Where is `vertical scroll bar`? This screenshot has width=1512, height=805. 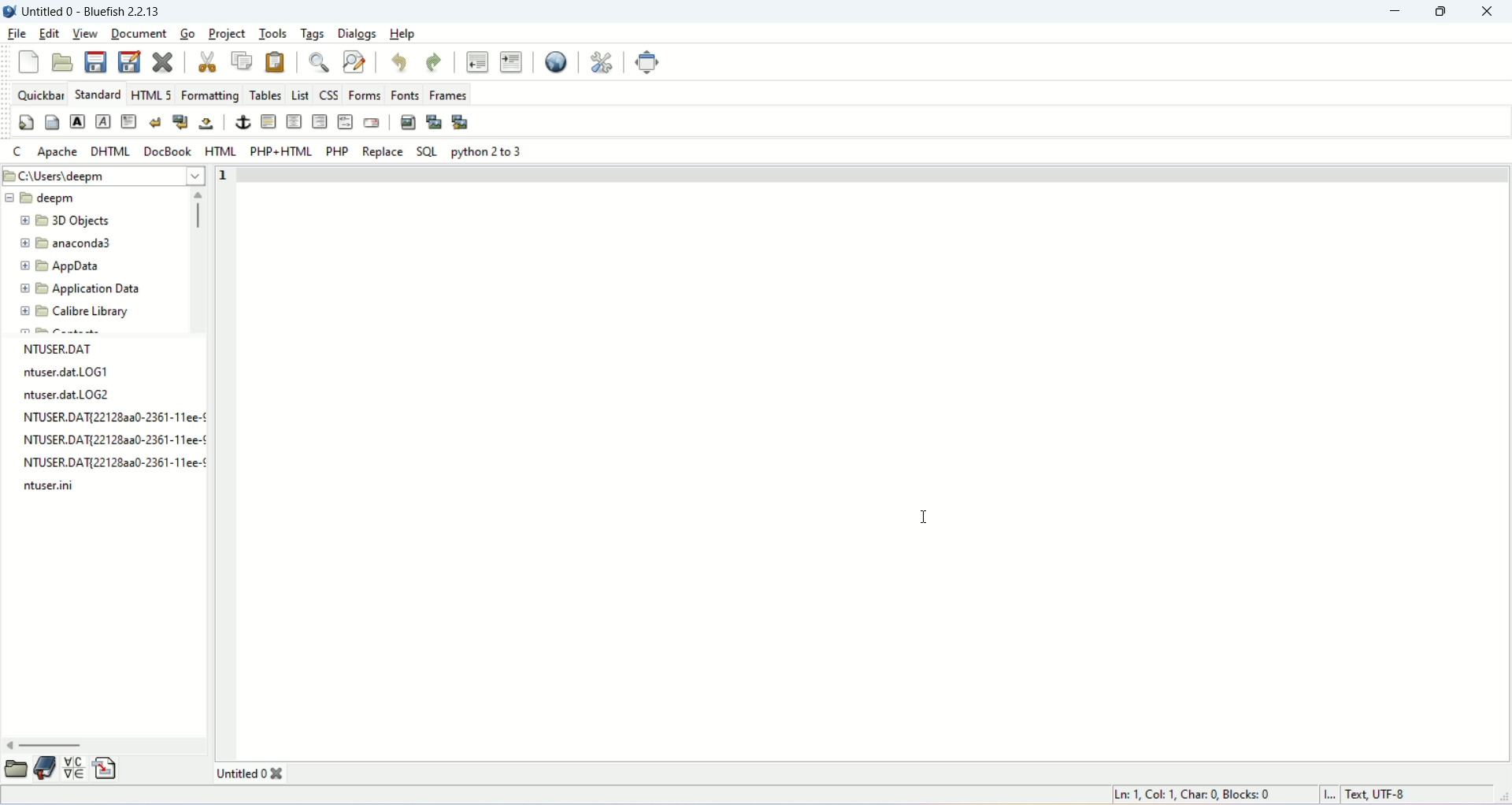
vertical scroll bar is located at coordinates (198, 210).